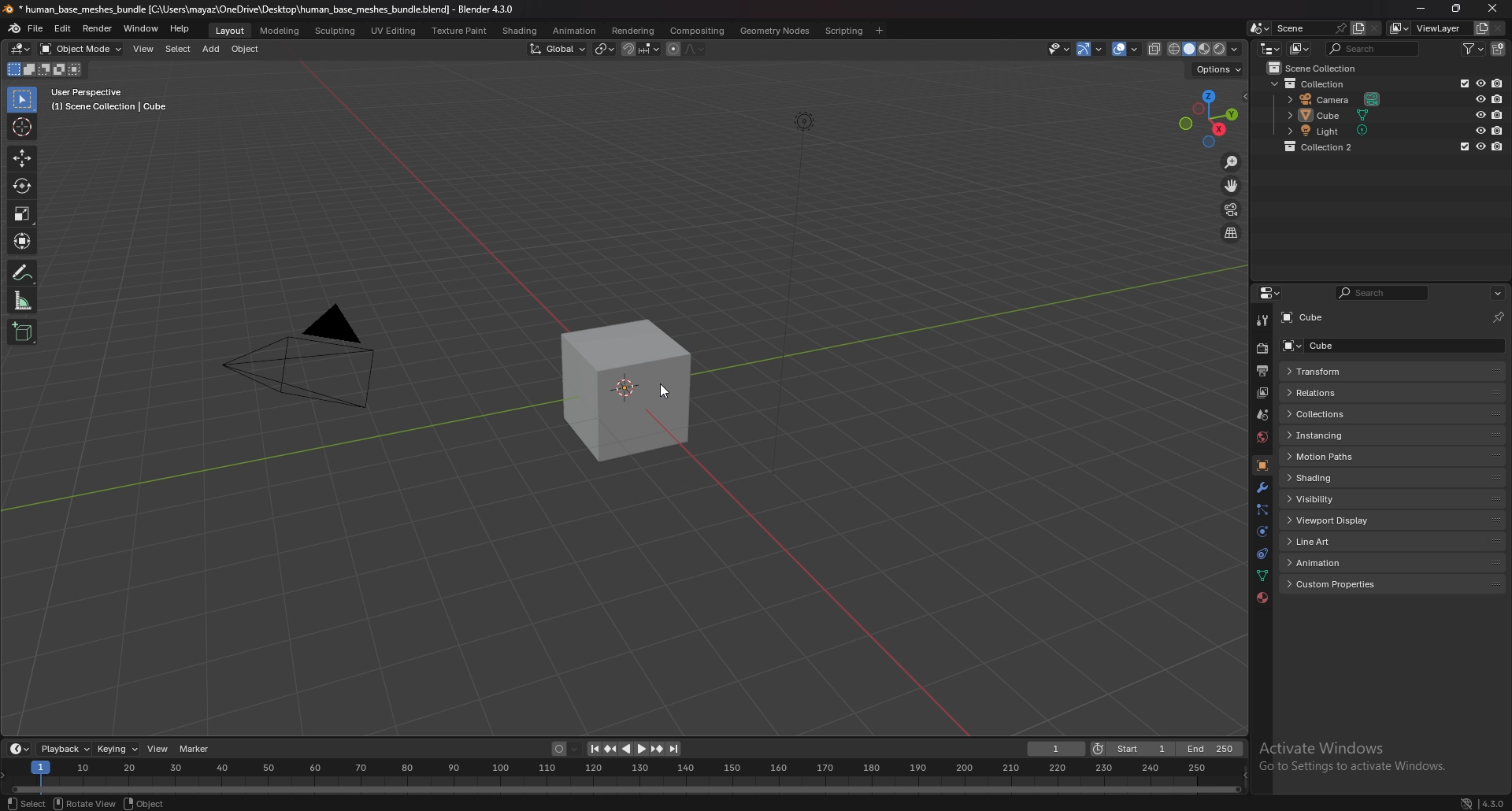  I want to click on jump to endpoint, so click(676, 750).